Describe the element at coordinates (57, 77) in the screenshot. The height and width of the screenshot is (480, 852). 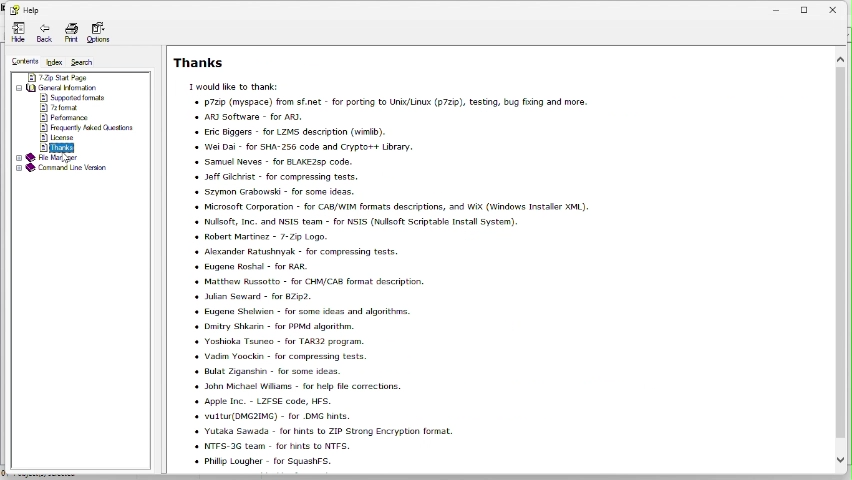
I see `7 zip start page` at that location.